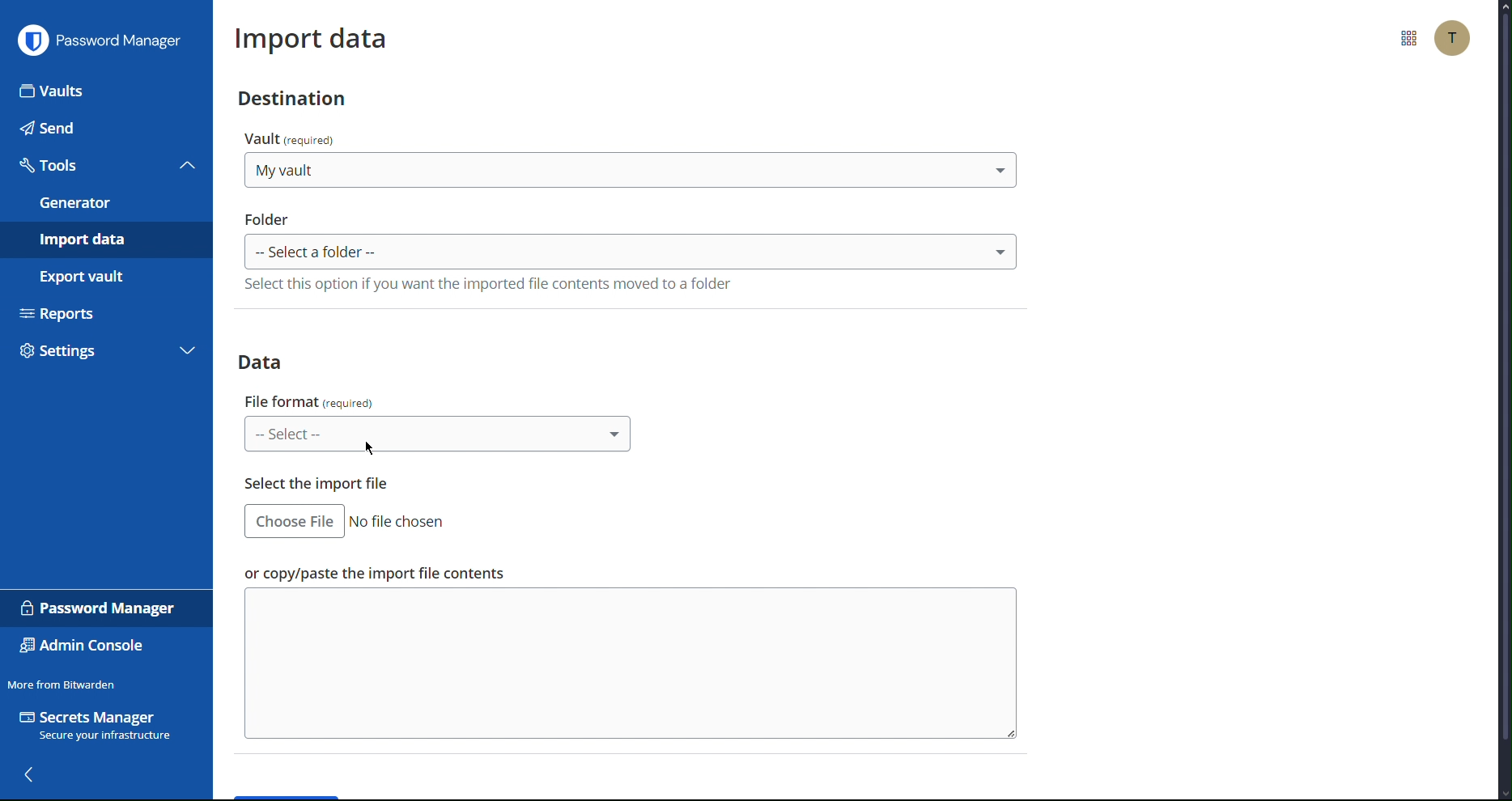  Describe the element at coordinates (86, 165) in the screenshot. I see `Tools` at that location.